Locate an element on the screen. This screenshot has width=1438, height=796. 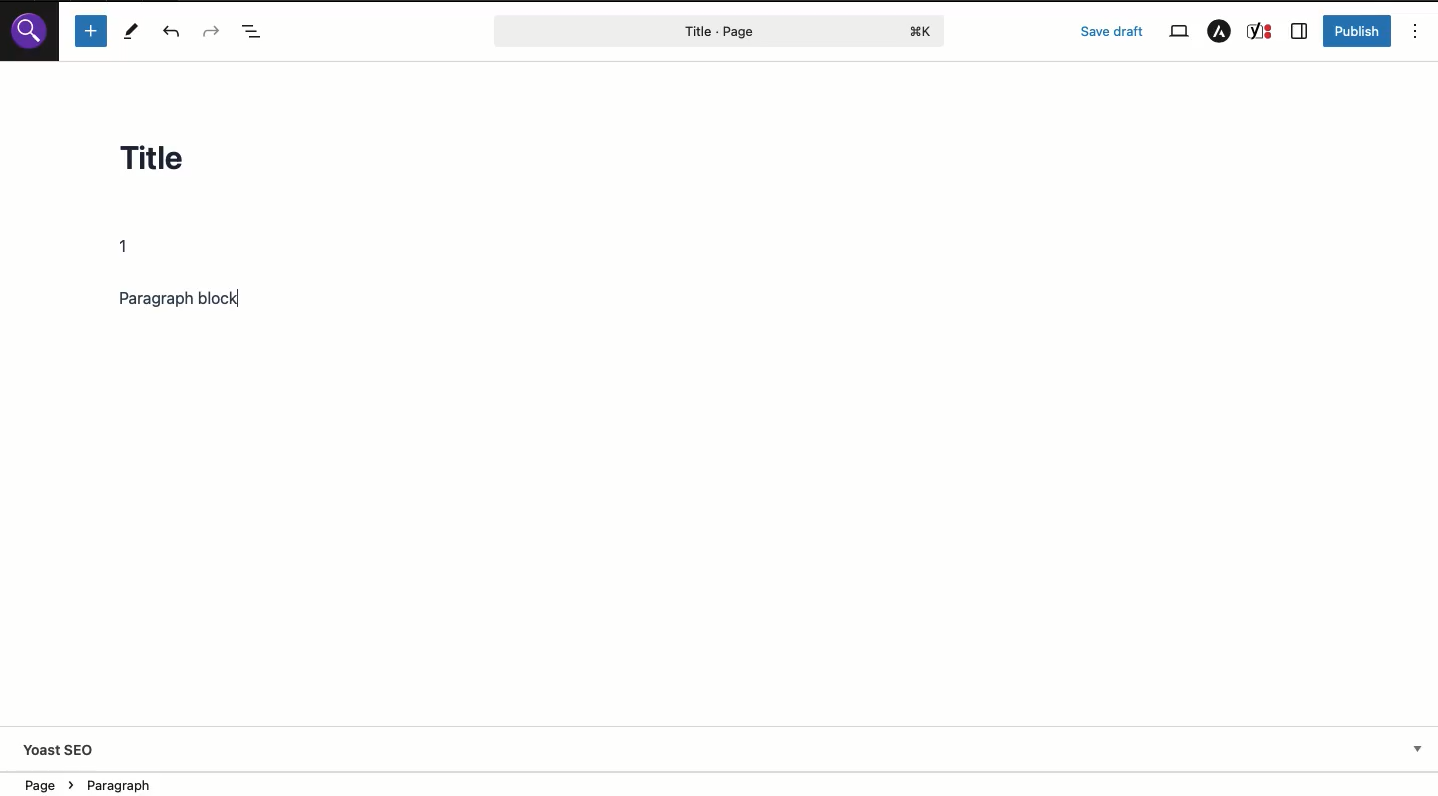
Add block is located at coordinates (90, 31).